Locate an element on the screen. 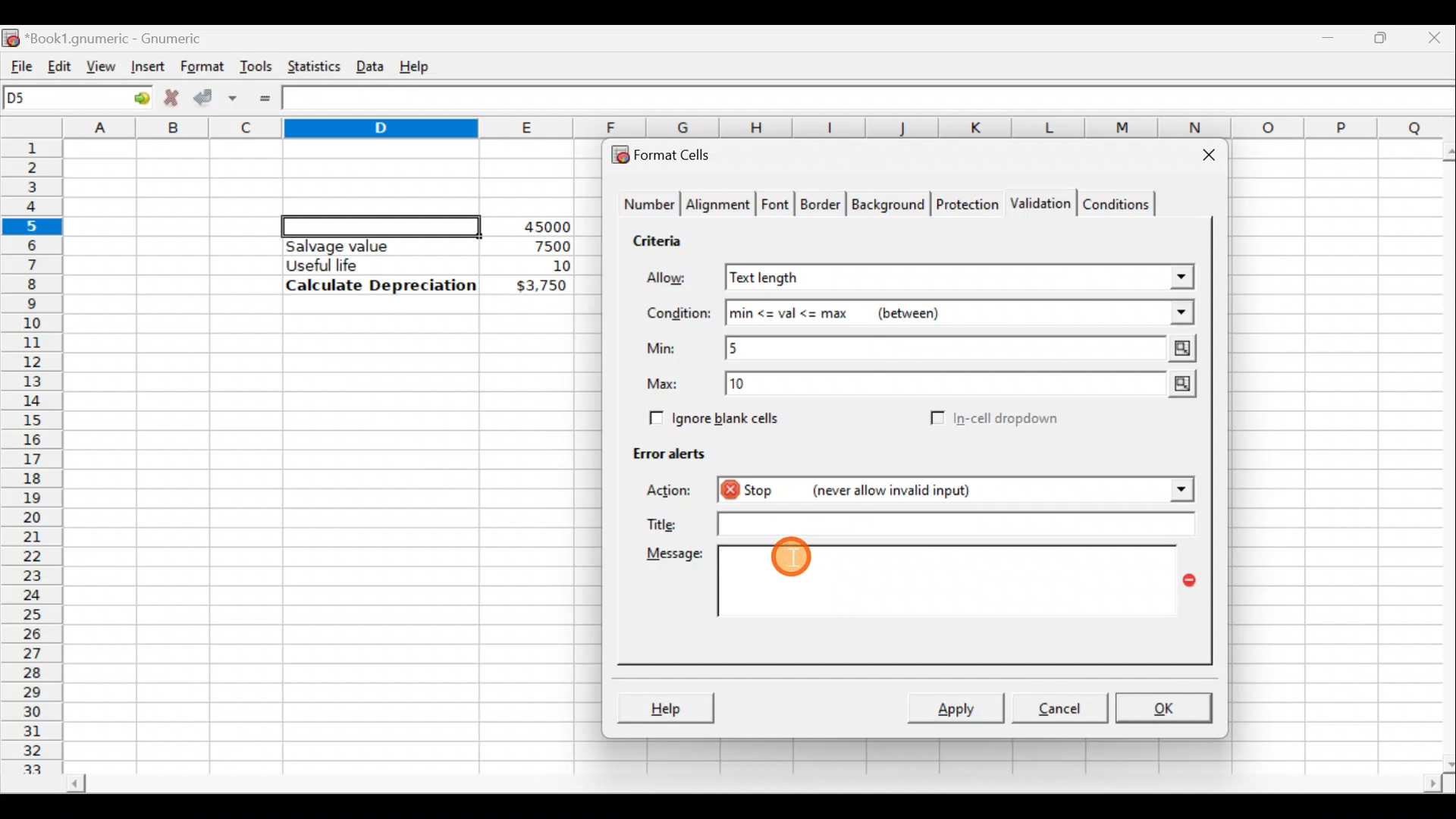  Text length selected is located at coordinates (961, 278).